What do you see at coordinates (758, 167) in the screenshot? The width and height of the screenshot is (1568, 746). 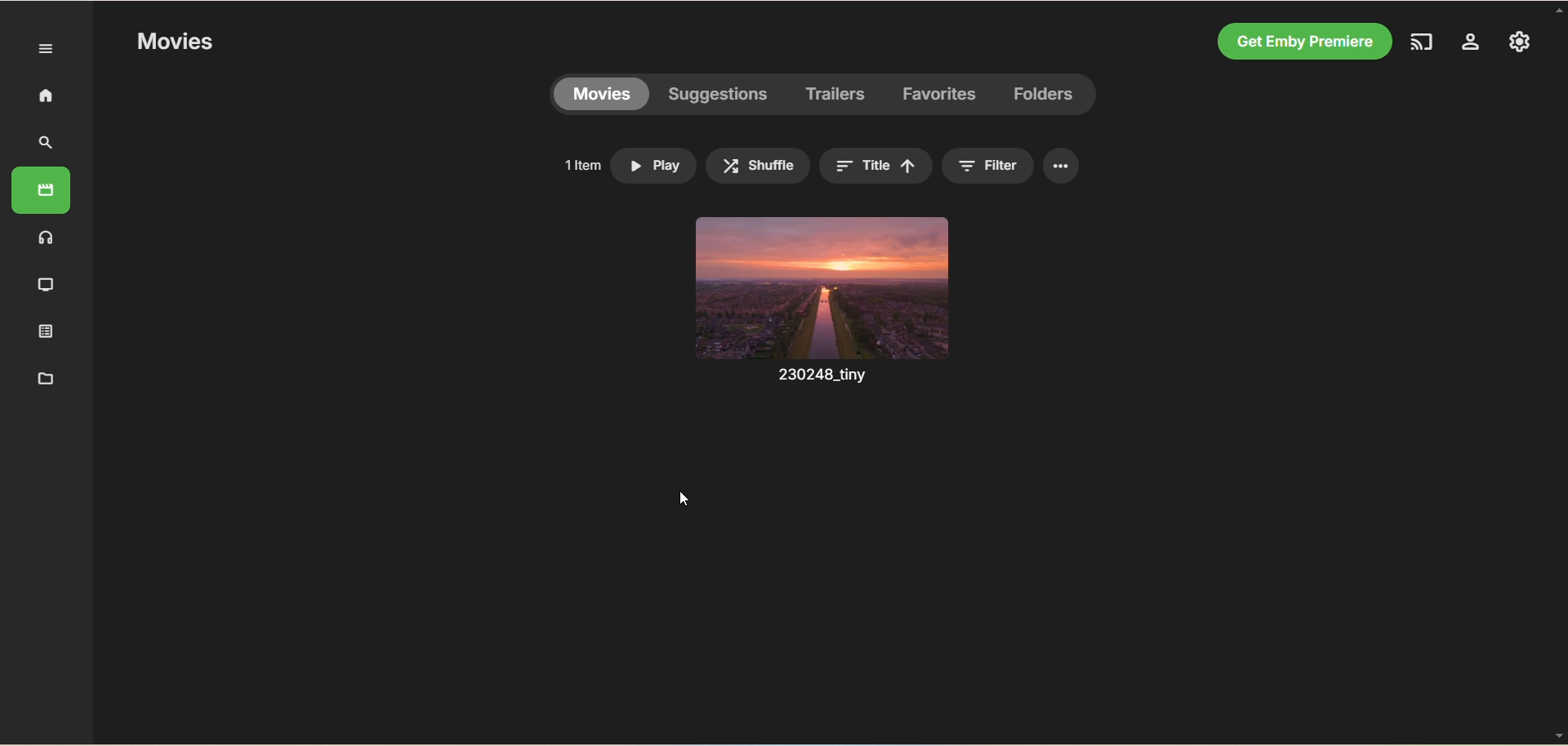 I see `shuffle` at bounding box center [758, 167].